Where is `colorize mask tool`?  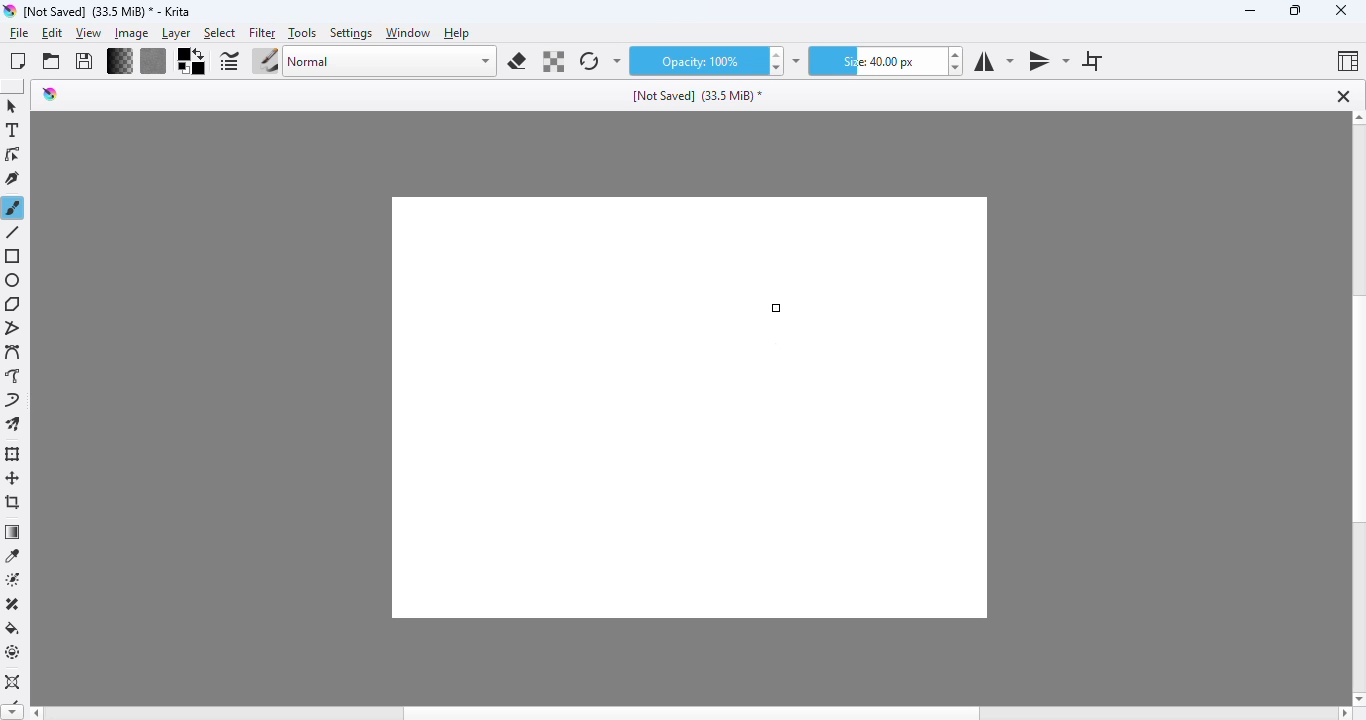 colorize mask tool is located at coordinates (15, 580).